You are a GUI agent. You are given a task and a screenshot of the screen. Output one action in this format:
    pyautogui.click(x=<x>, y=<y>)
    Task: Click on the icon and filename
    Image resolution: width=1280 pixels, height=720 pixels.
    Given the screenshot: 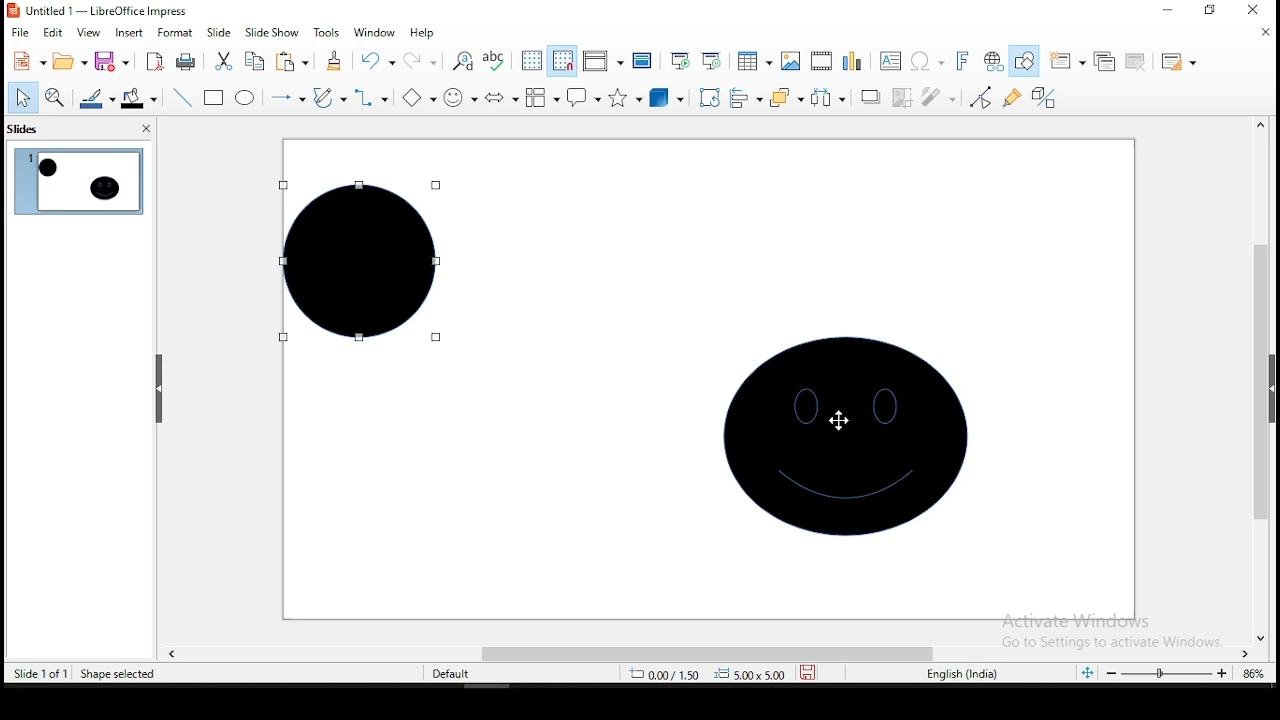 What is the action you would take?
    pyautogui.click(x=98, y=11)
    